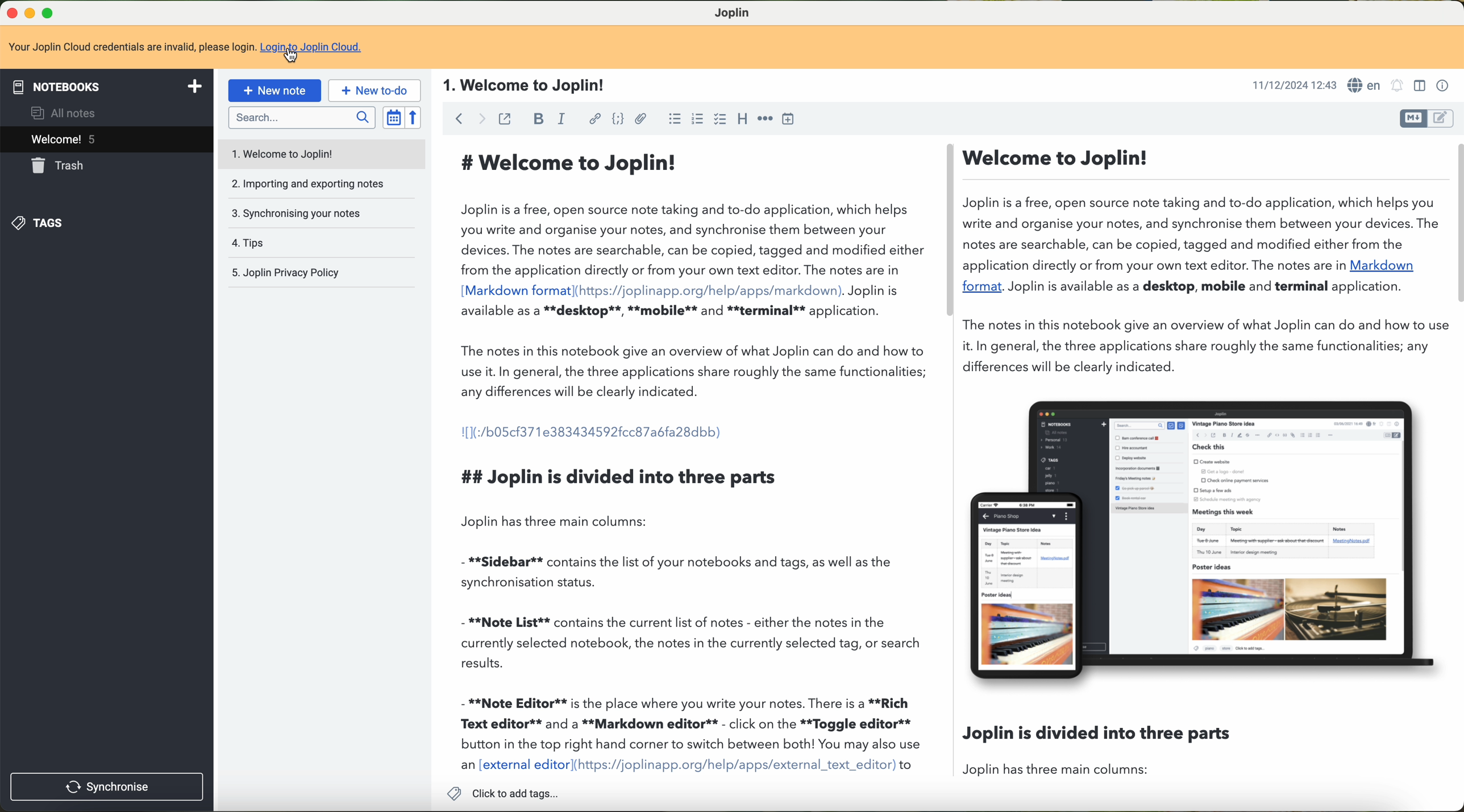 This screenshot has height=812, width=1464. What do you see at coordinates (323, 152) in the screenshot?
I see `welcome to joplin note` at bounding box center [323, 152].